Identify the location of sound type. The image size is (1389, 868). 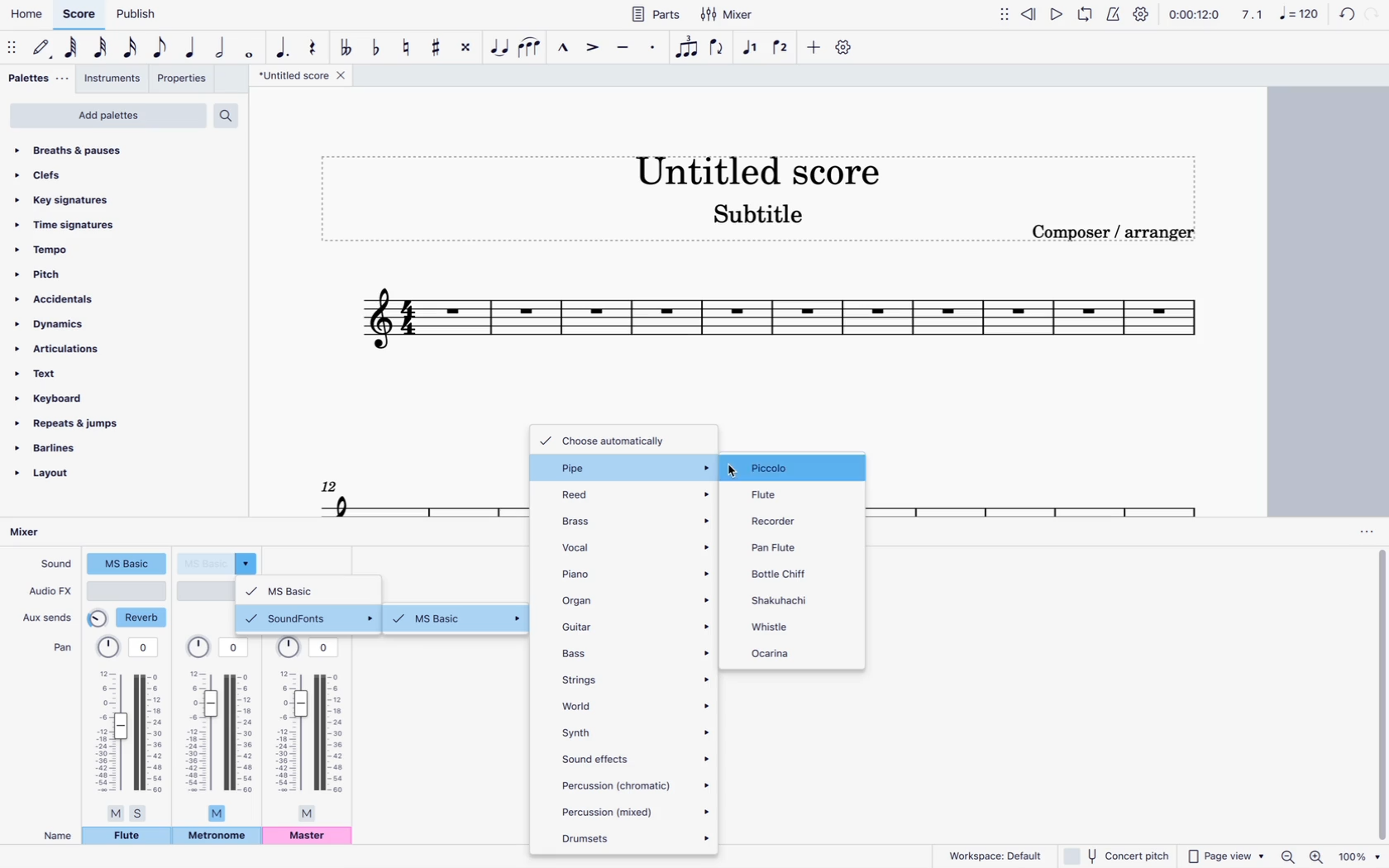
(220, 562).